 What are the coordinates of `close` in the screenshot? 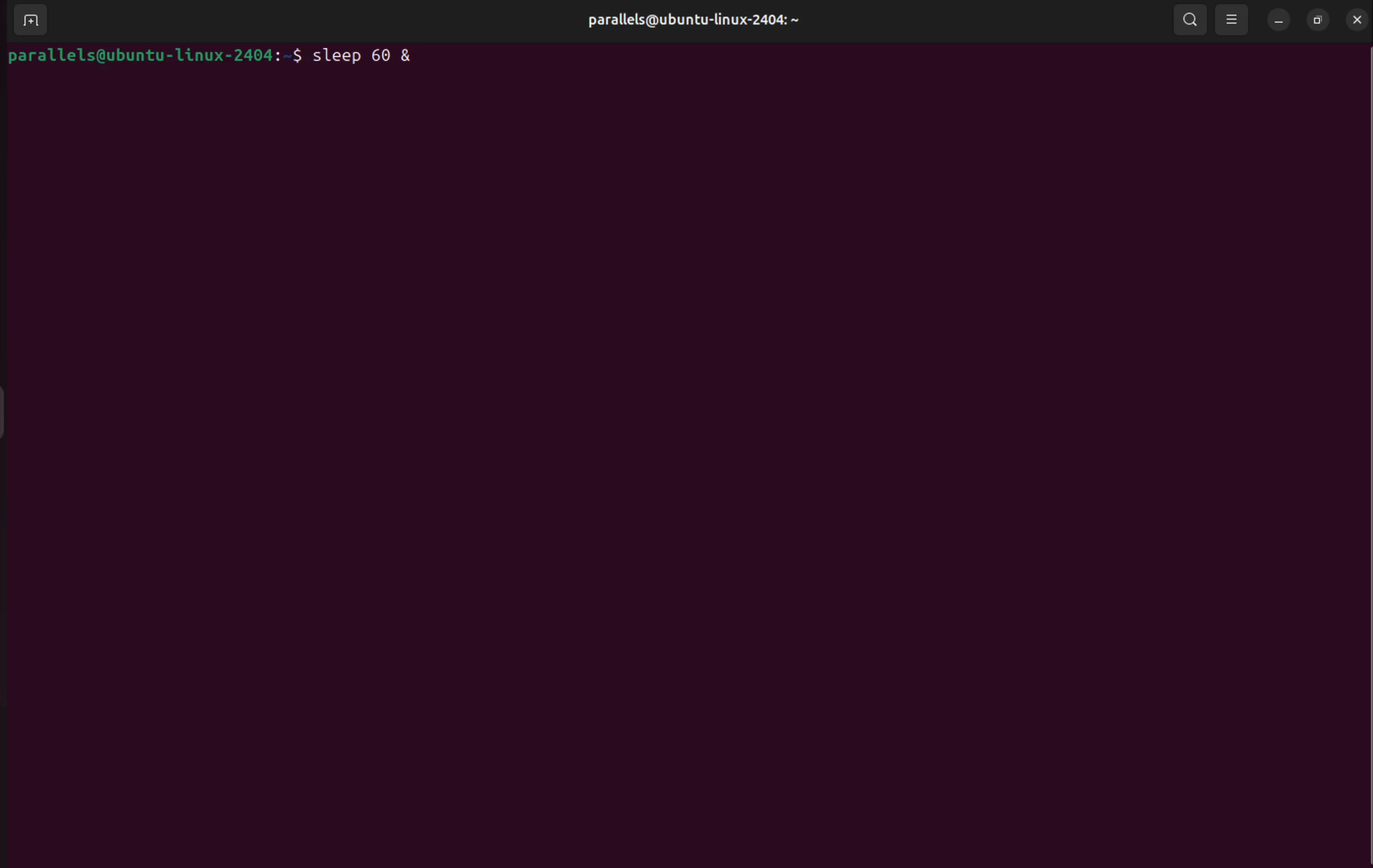 It's located at (1355, 18).